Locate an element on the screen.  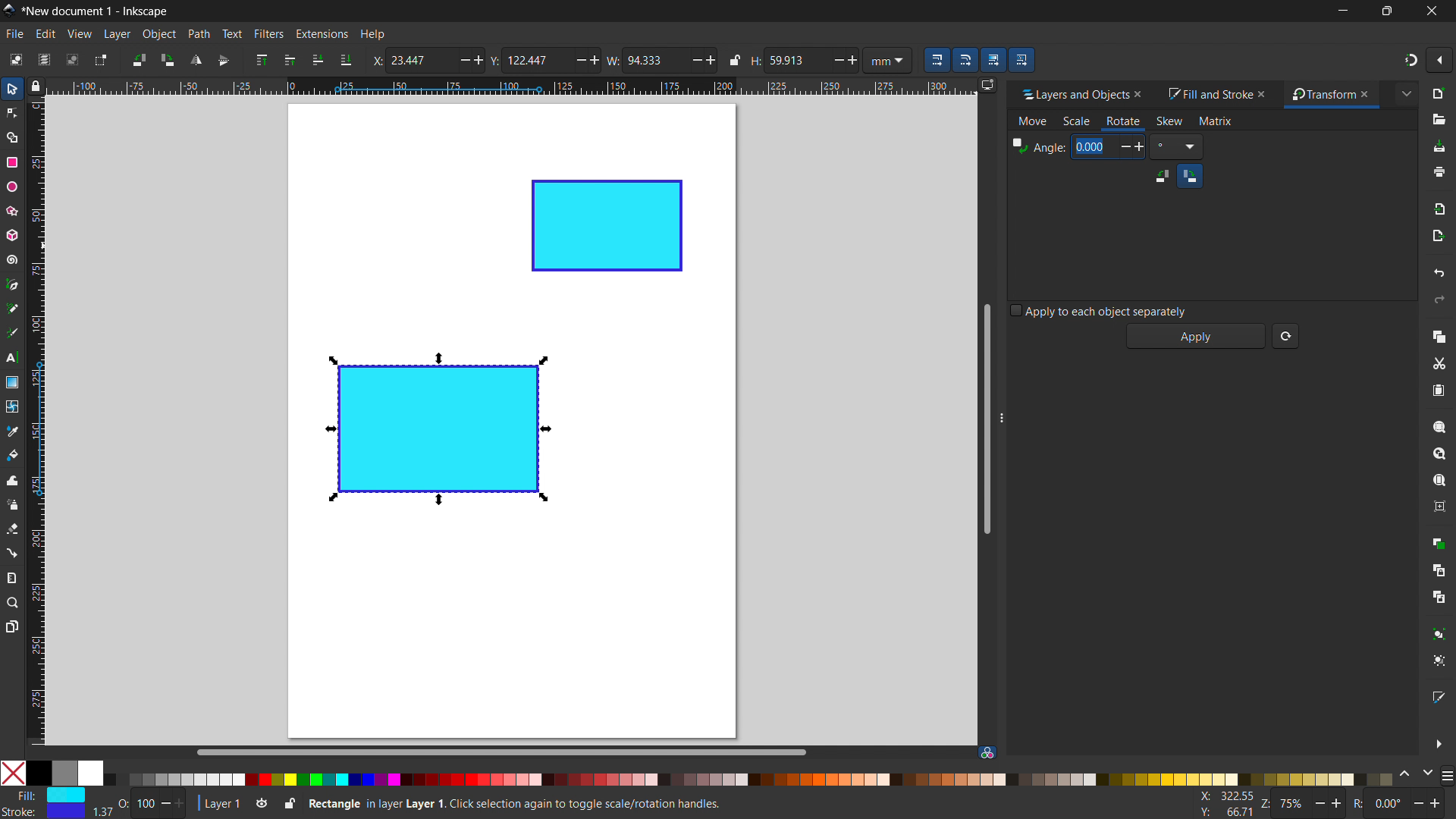
minus/ decrease is located at coordinates (458, 60).